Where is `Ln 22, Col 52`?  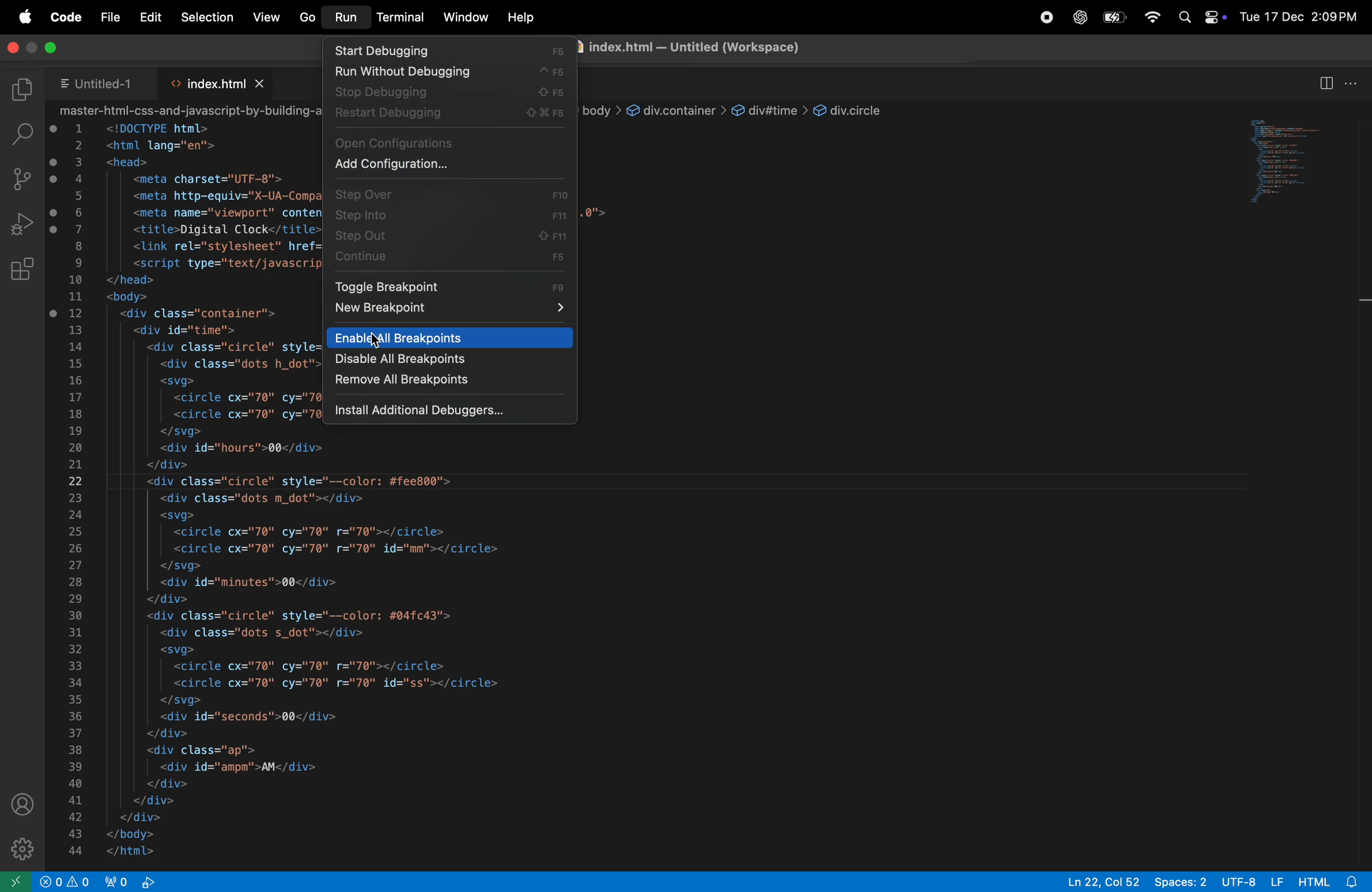
Ln 22, Col 52 is located at coordinates (1099, 880).